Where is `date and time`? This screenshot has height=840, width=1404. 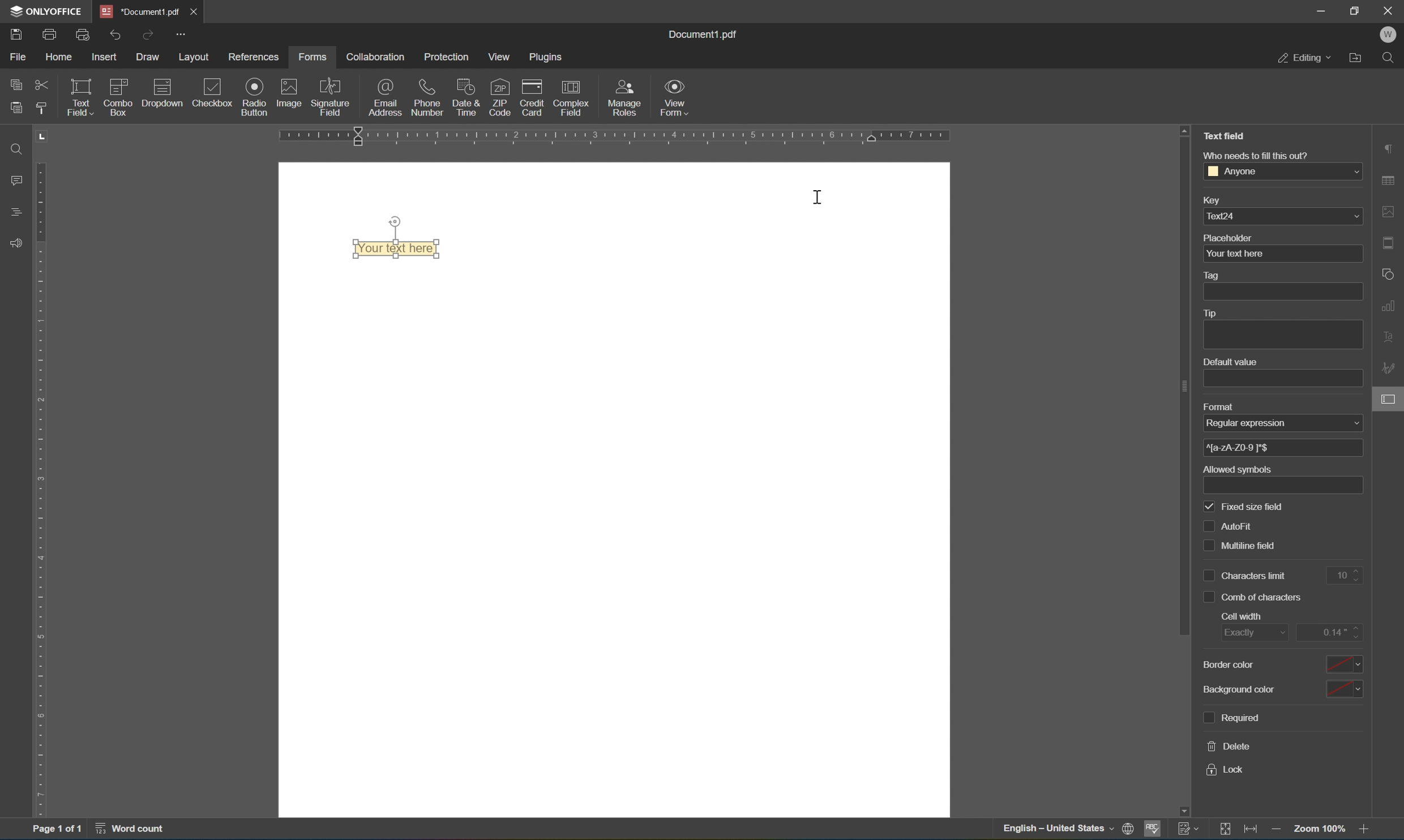
date and time is located at coordinates (466, 96).